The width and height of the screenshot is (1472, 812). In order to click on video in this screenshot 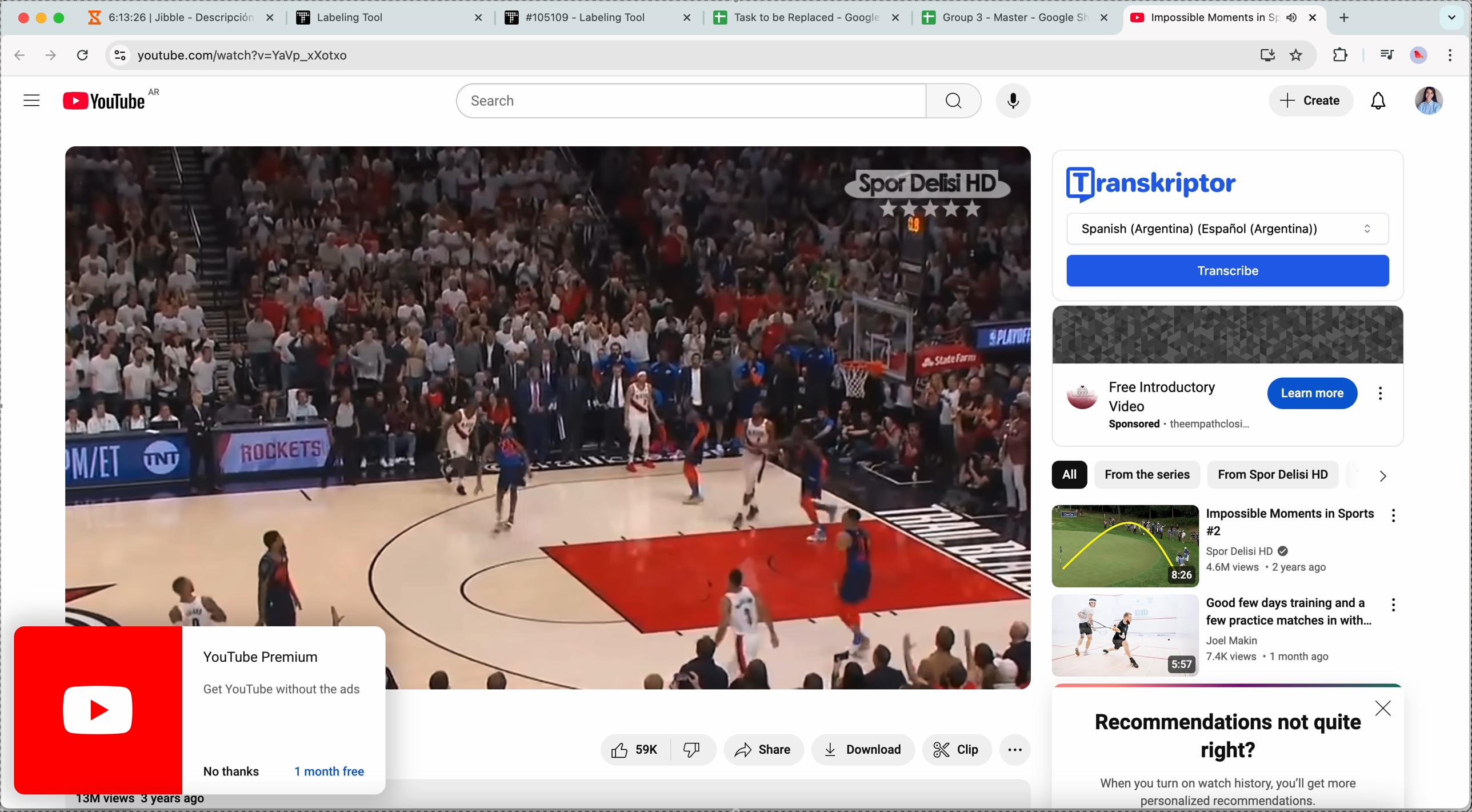, I will do `click(549, 383)`.